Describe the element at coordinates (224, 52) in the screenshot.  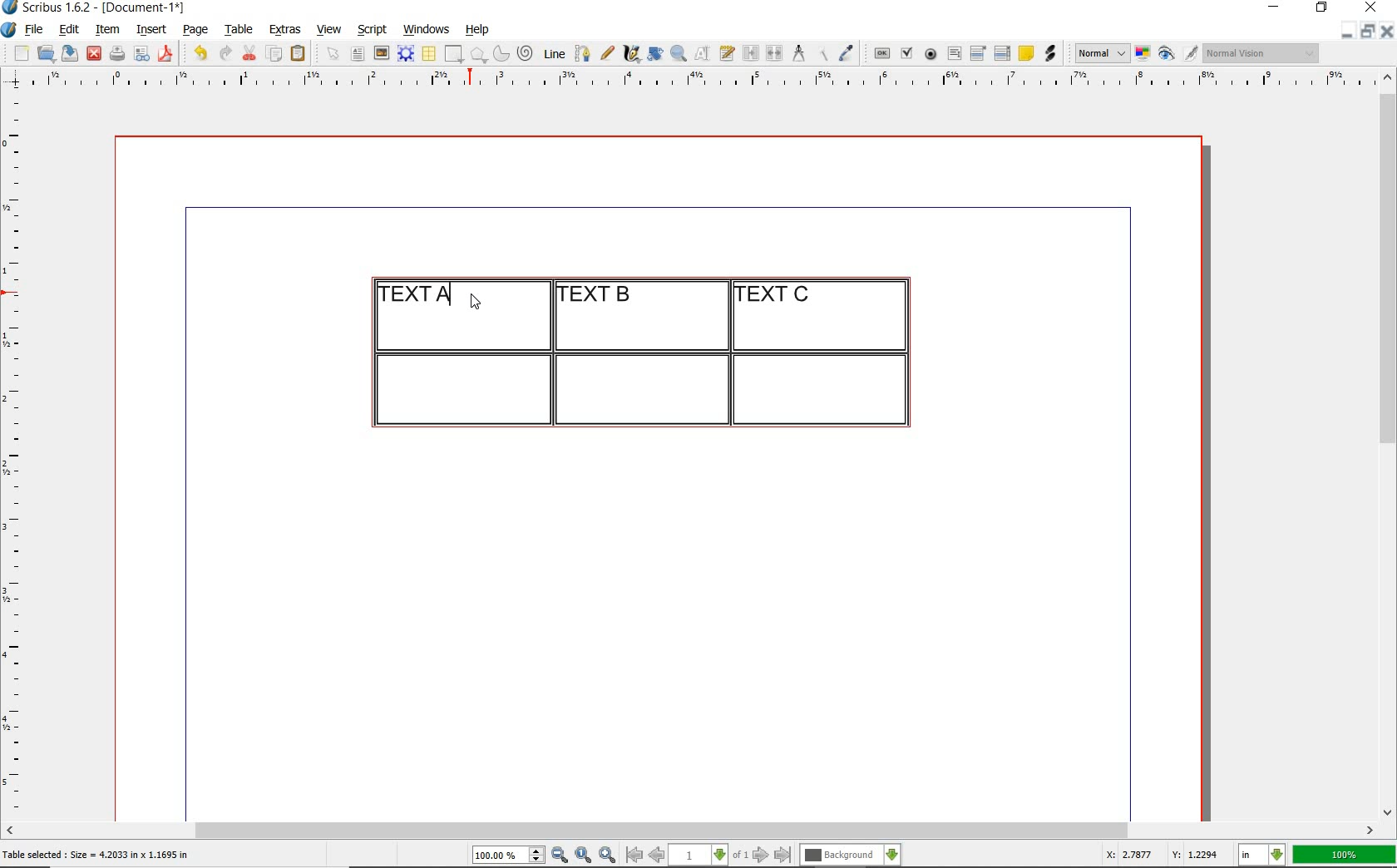
I see `redo` at that location.